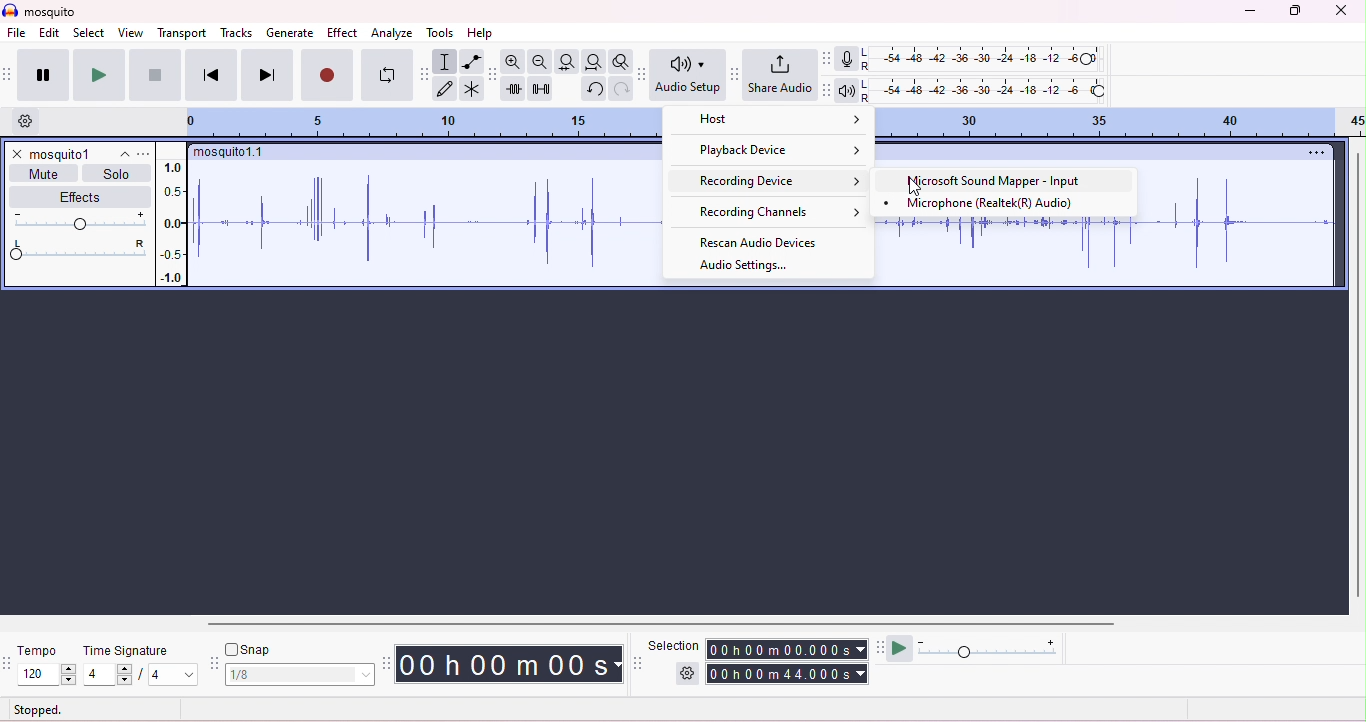 This screenshot has width=1366, height=722. Describe the element at coordinates (343, 33) in the screenshot. I see `effect` at that location.